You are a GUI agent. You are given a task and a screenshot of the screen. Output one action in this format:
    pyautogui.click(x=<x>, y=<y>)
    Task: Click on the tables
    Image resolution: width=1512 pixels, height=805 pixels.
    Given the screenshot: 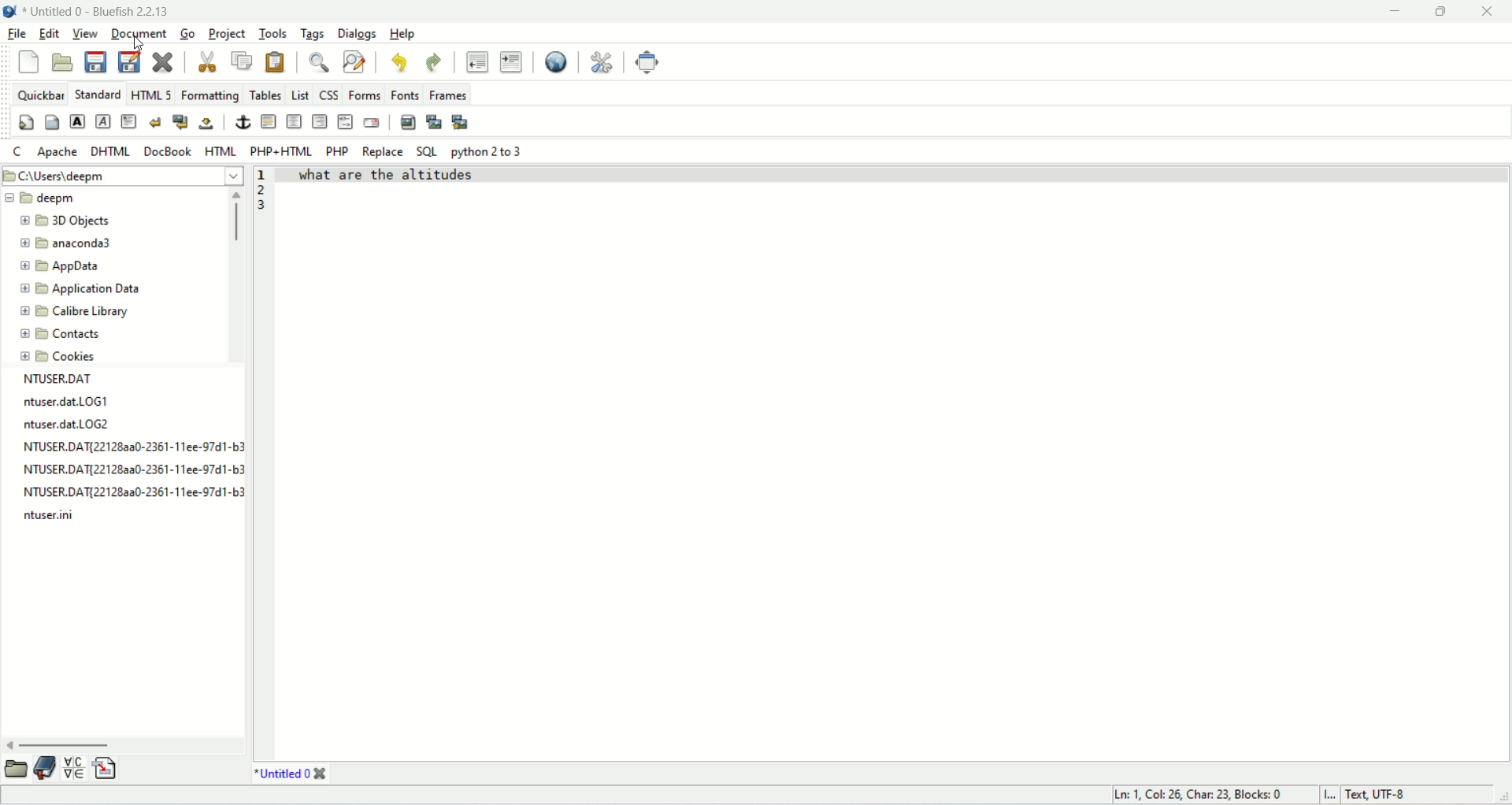 What is the action you would take?
    pyautogui.click(x=264, y=95)
    